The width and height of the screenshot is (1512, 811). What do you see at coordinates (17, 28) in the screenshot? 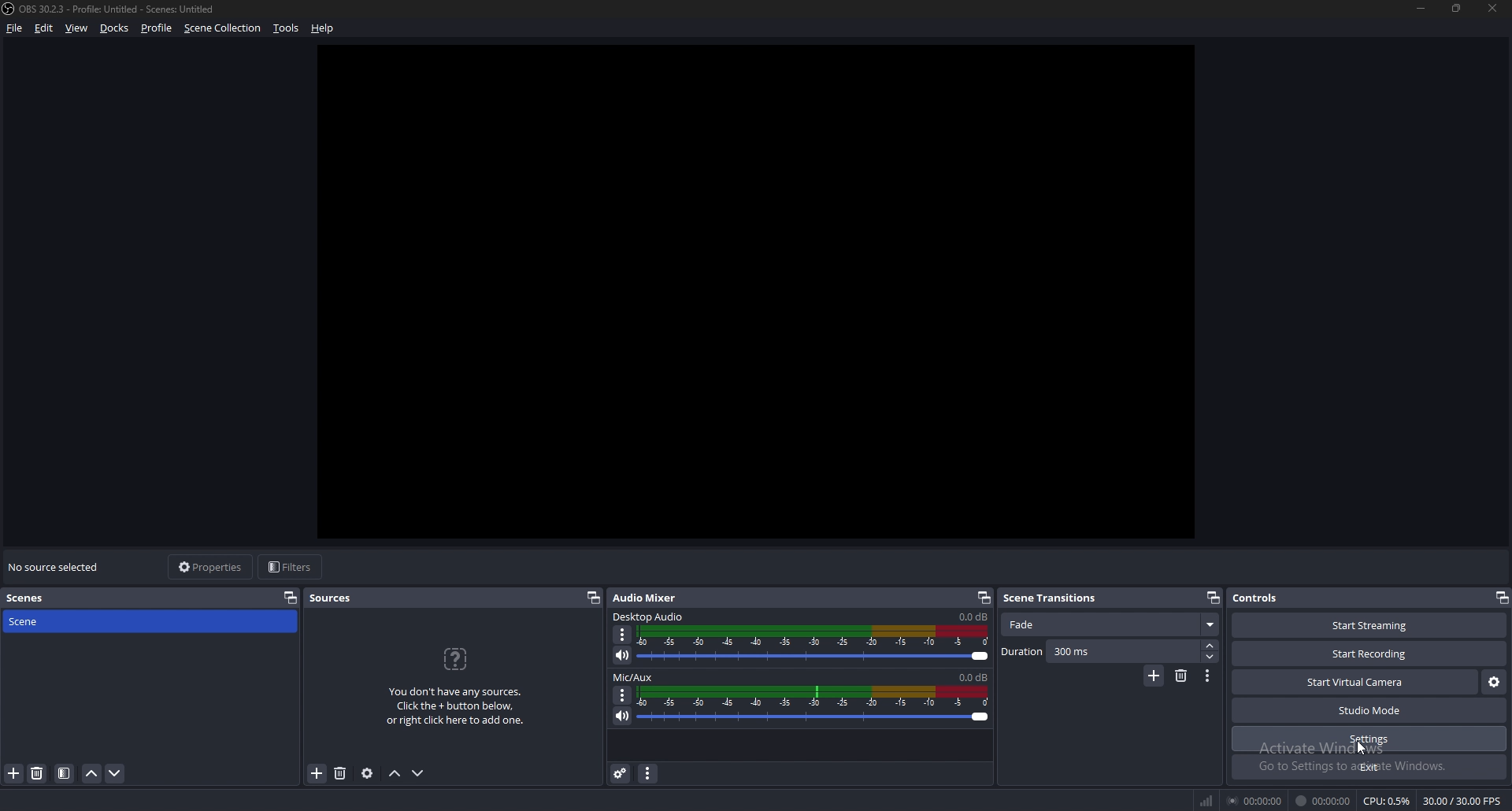
I see `file` at bounding box center [17, 28].